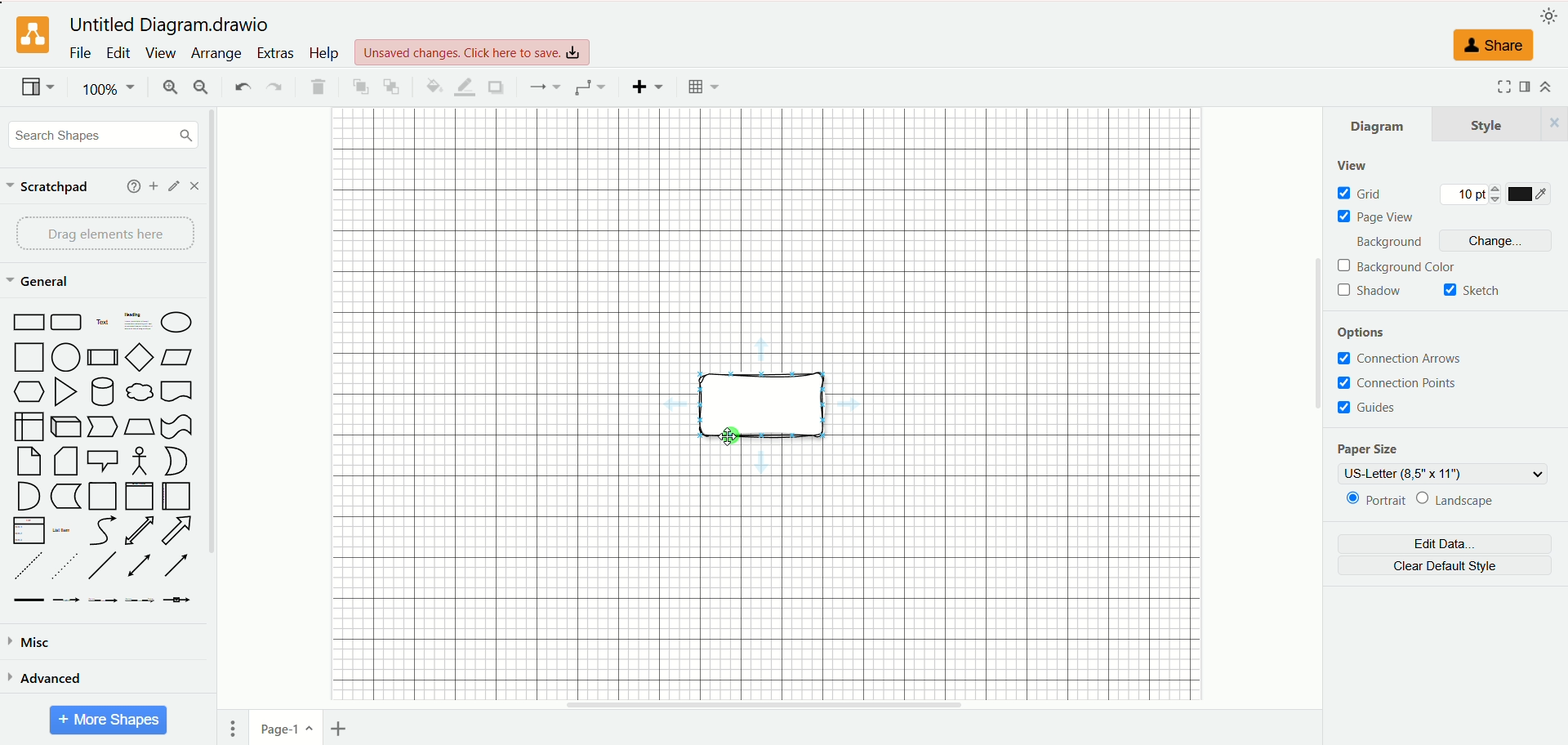  What do you see at coordinates (1530, 194) in the screenshot?
I see `color` at bounding box center [1530, 194].